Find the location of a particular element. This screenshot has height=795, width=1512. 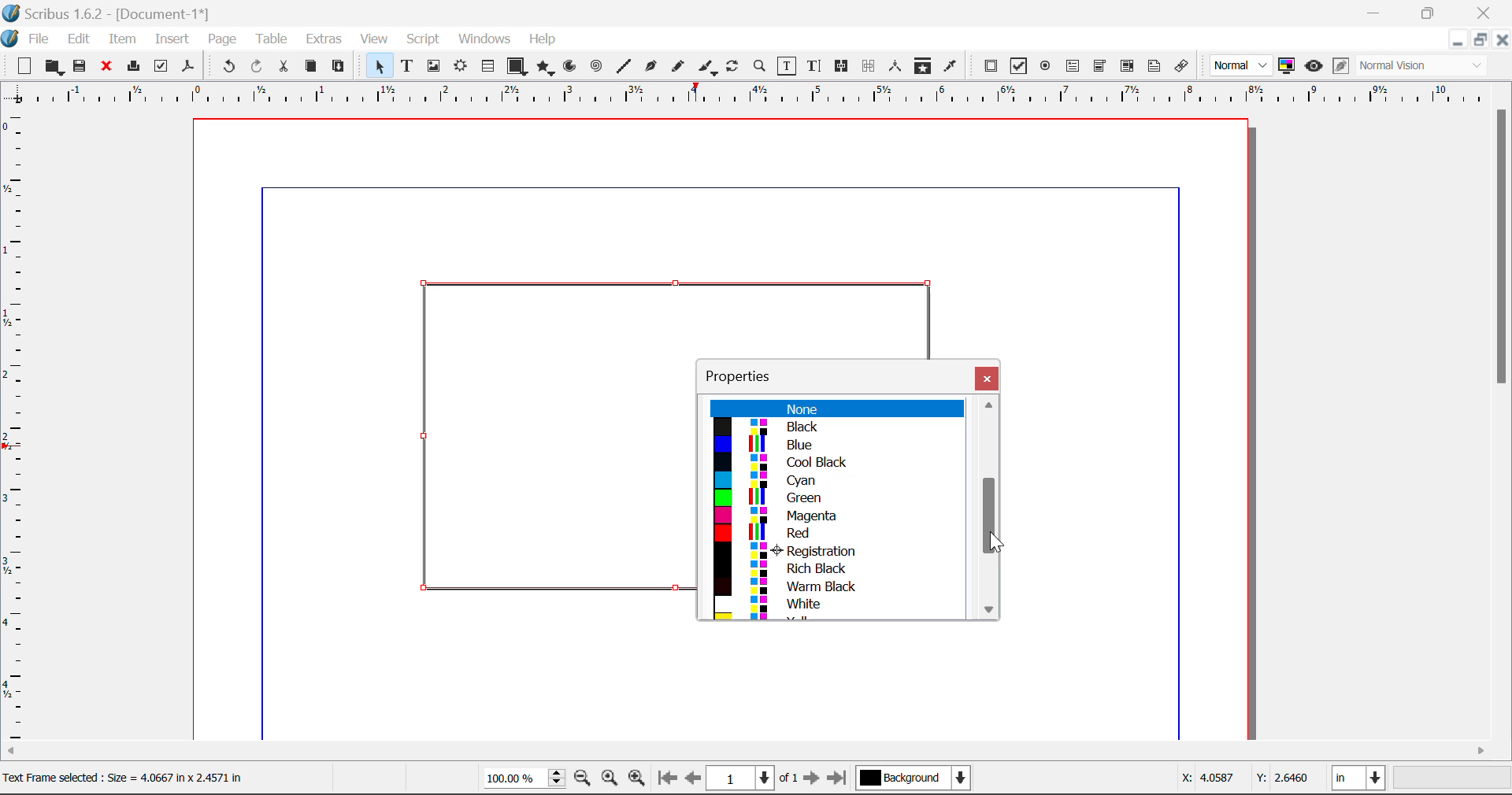

Pdf Combo Box is located at coordinates (1100, 65).